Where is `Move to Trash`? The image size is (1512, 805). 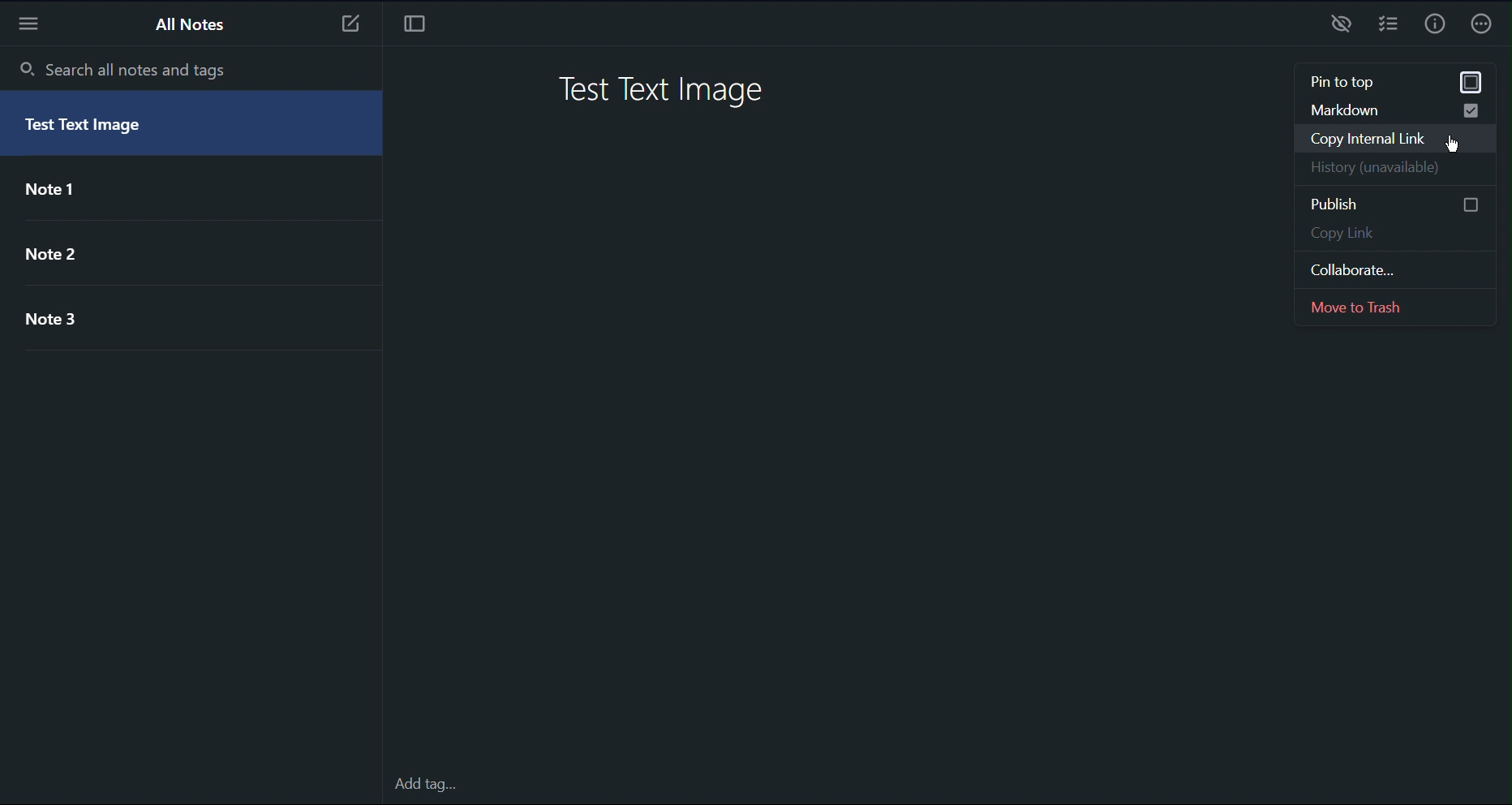
Move to Trash is located at coordinates (1394, 309).